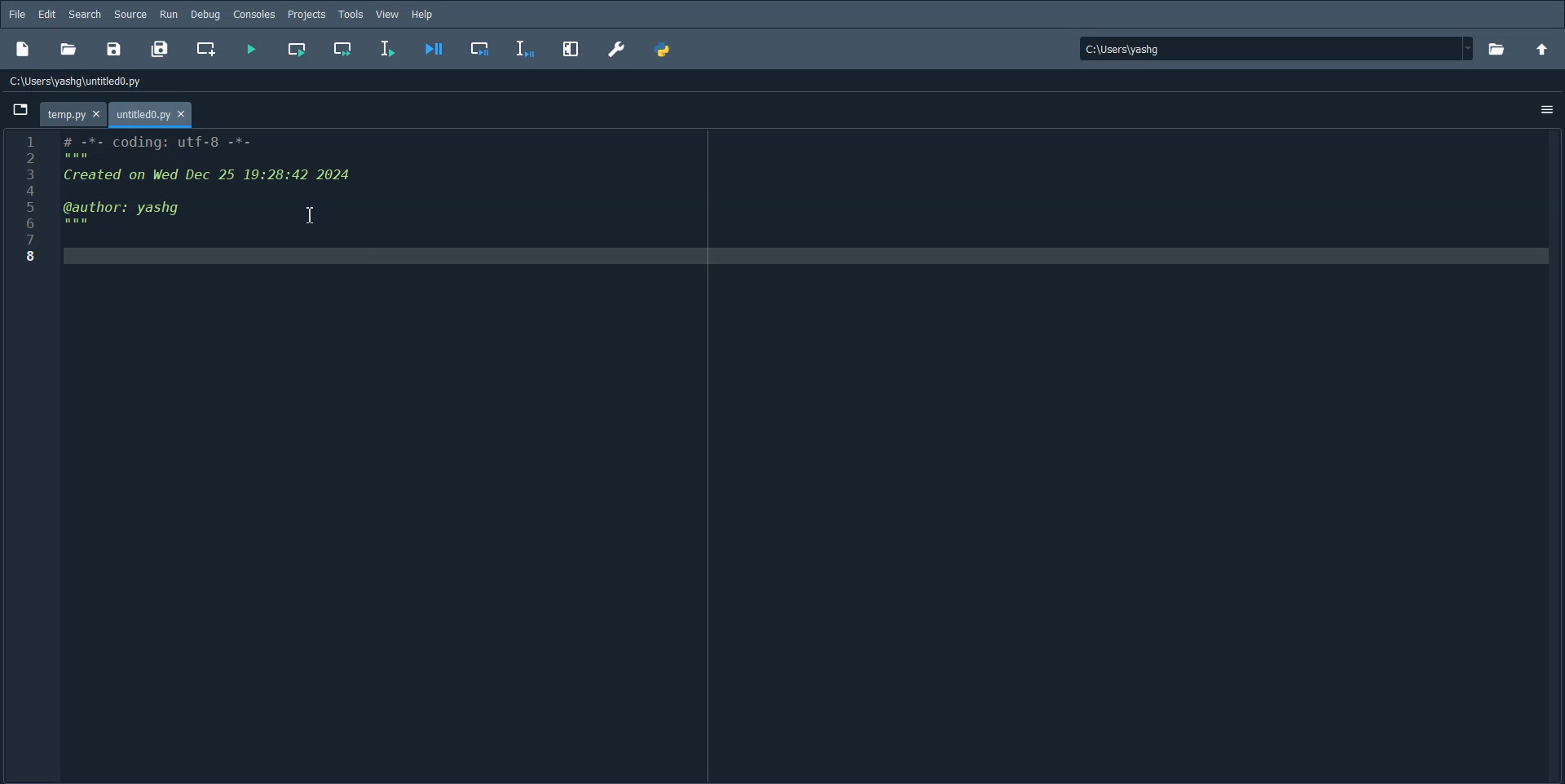 The image size is (1565, 784). What do you see at coordinates (298, 51) in the screenshot?
I see `Run current all file` at bounding box center [298, 51].